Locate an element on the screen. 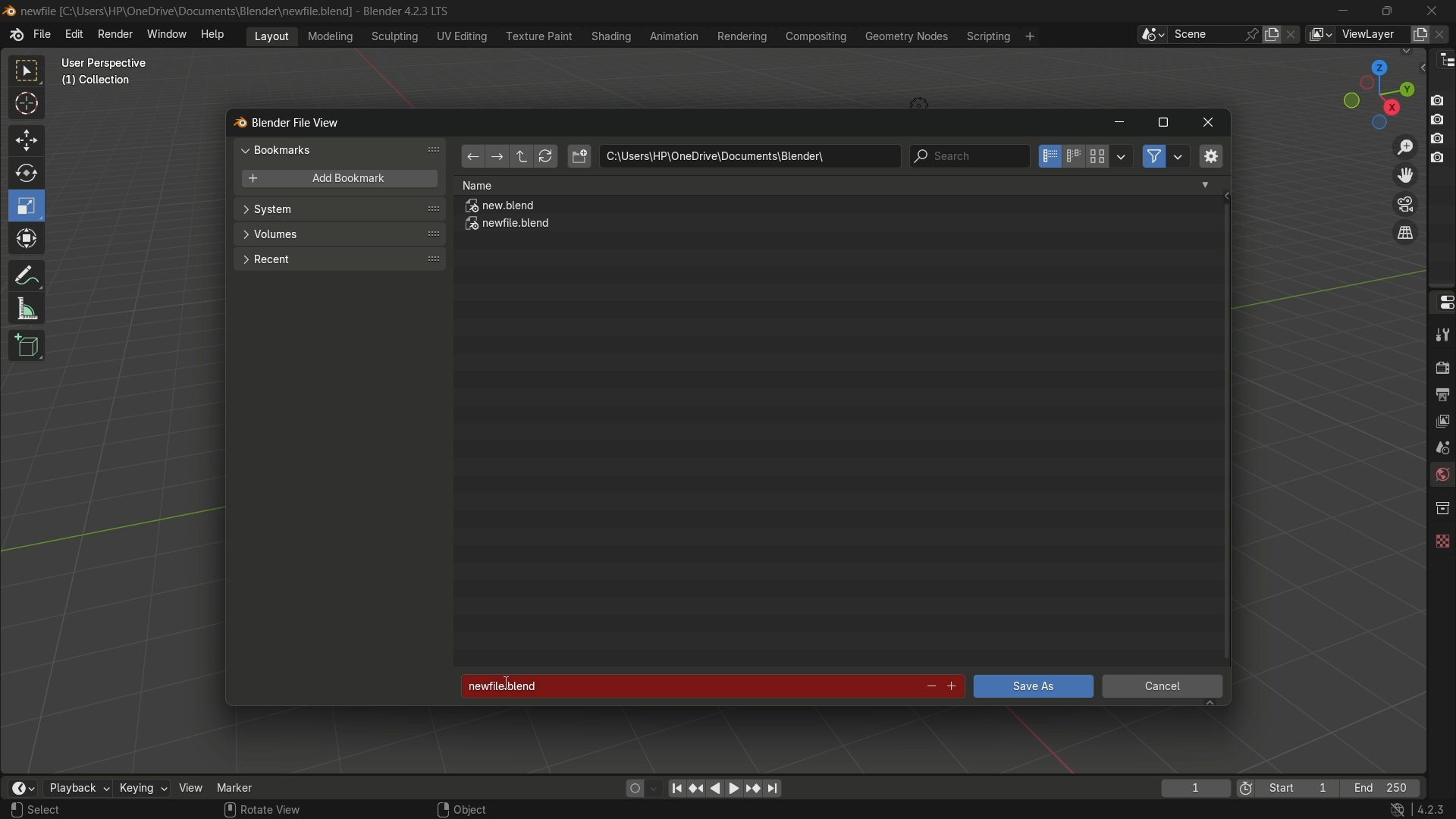 The width and height of the screenshot is (1456, 819). compositing menu is located at coordinates (817, 36).